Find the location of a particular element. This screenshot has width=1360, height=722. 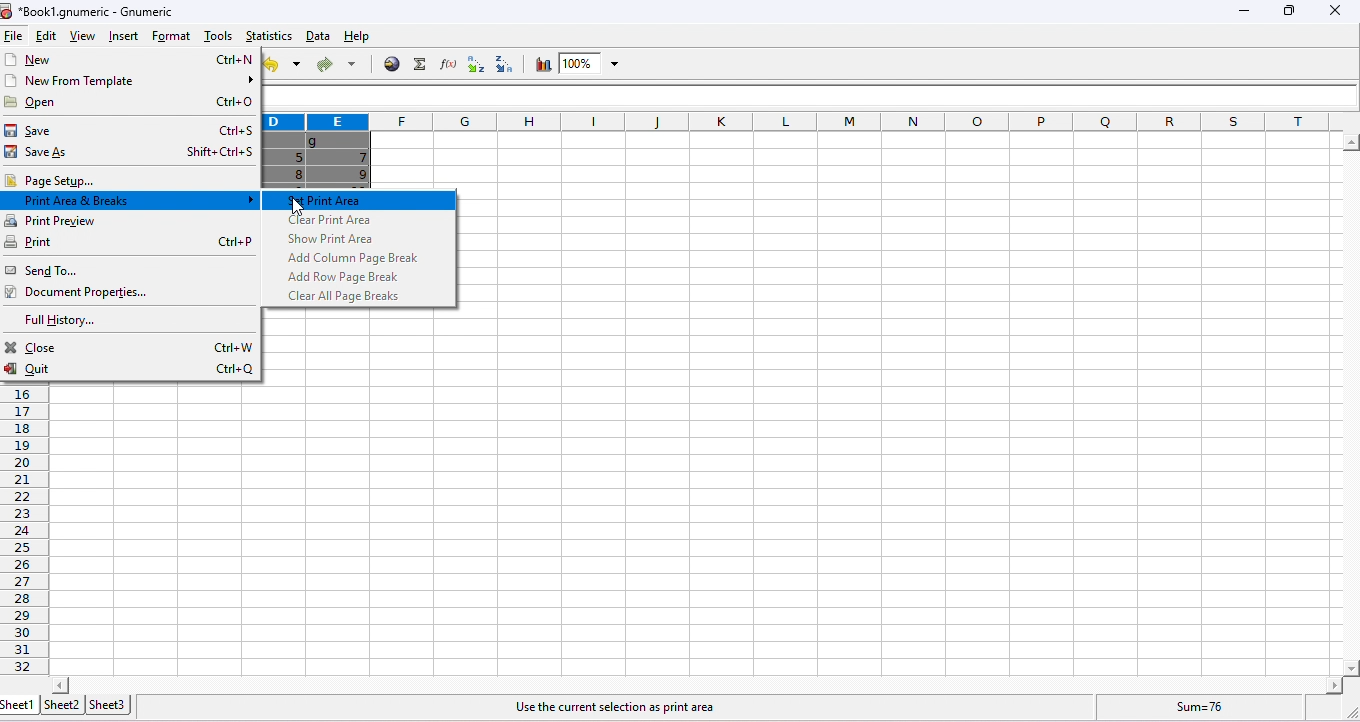

show print area is located at coordinates (331, 239).